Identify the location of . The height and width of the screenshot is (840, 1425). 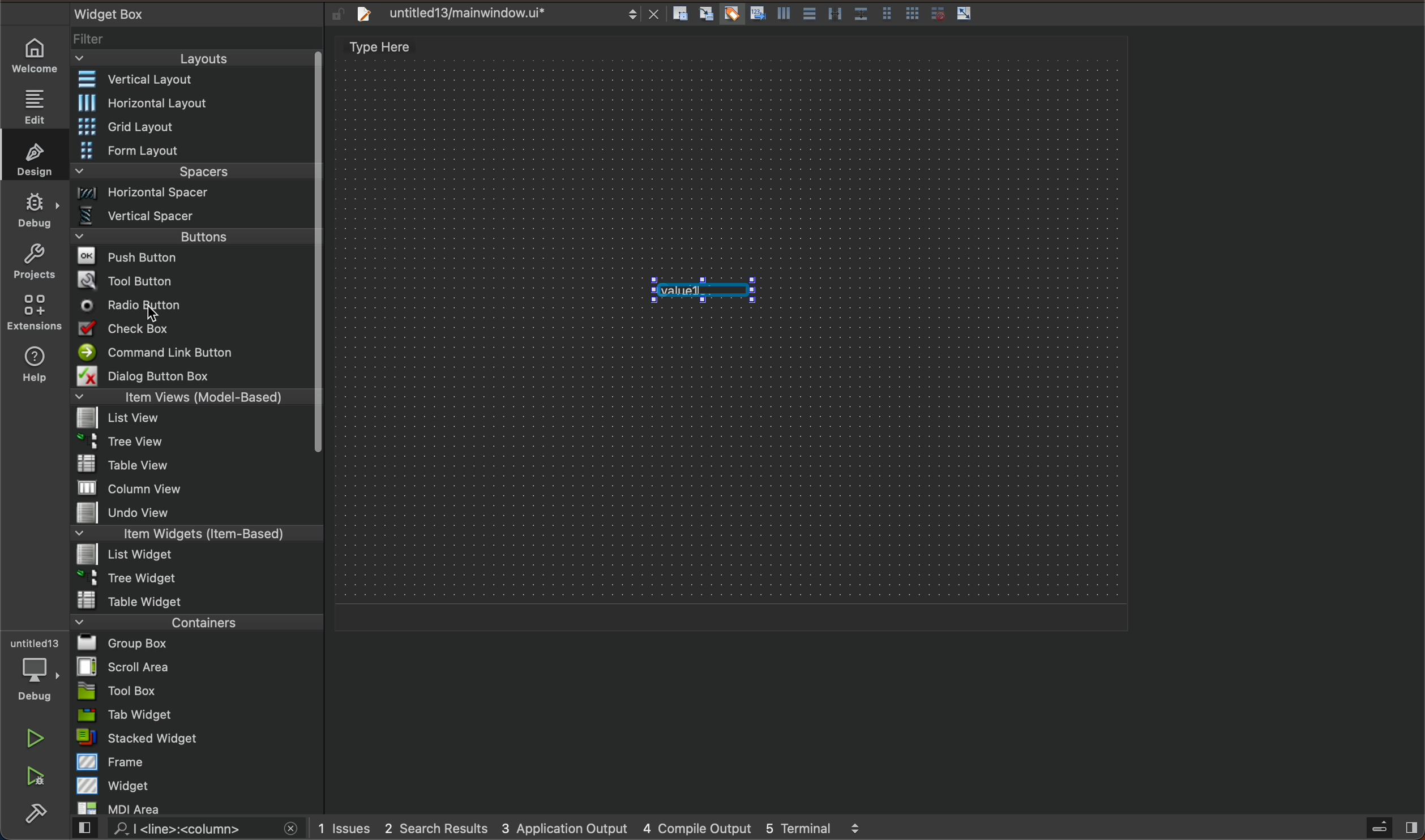
(935, 14).